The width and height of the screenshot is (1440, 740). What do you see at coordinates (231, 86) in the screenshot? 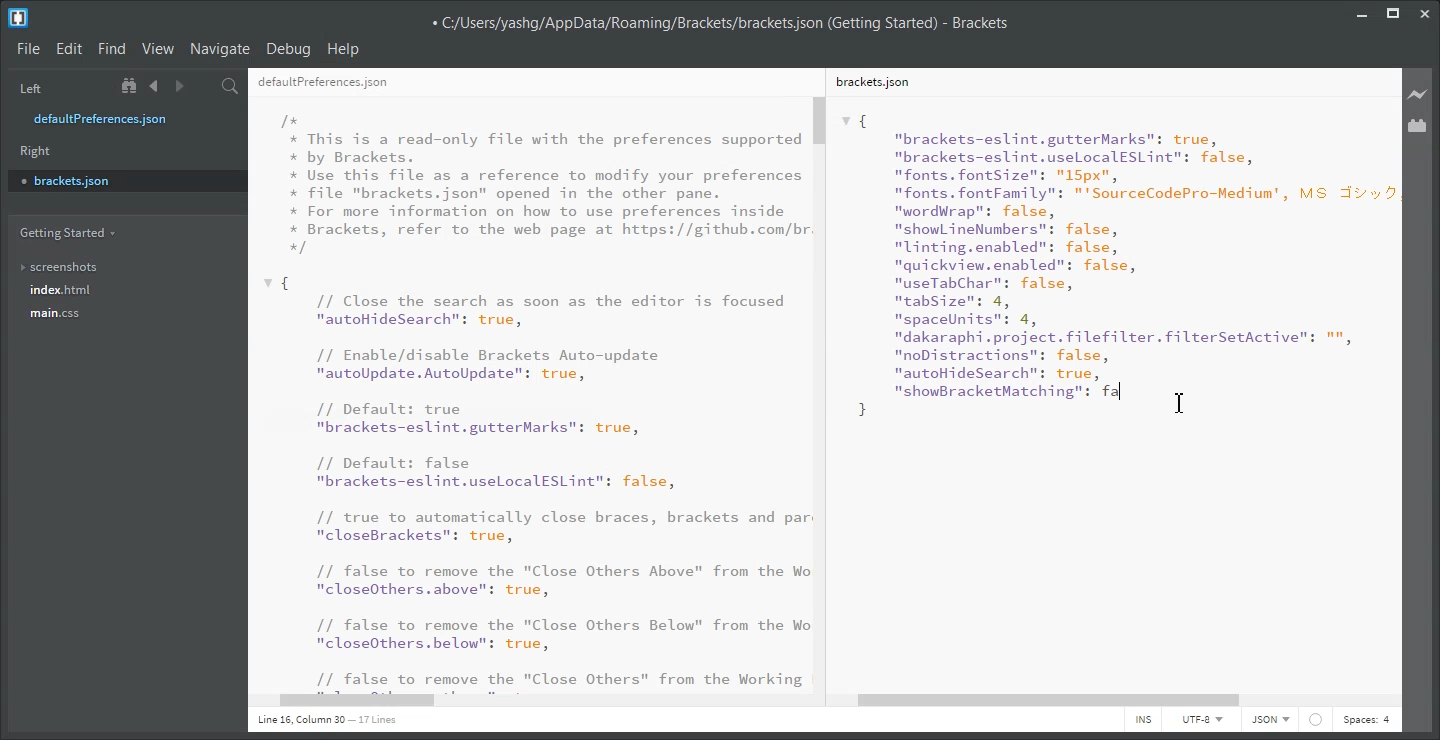
I see `Find in files` at bounding box center [231, 86].